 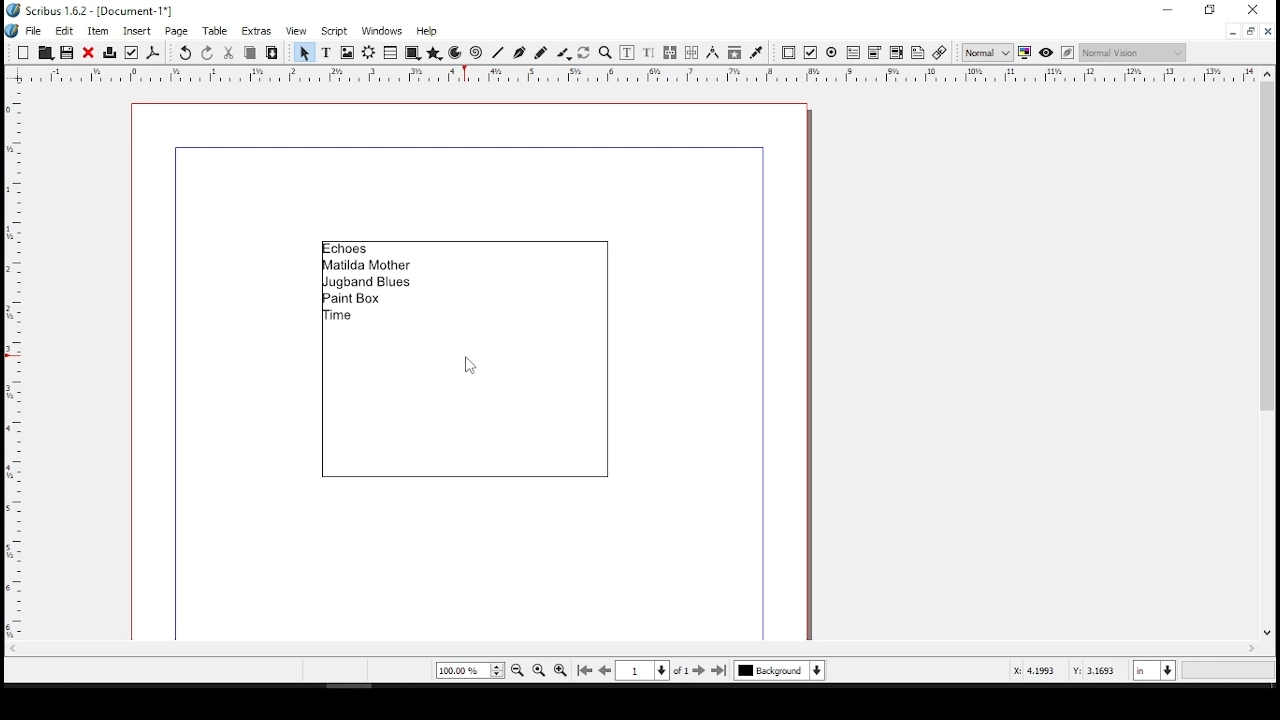 What do you see at coordinates (23, 52) in the screenshot?
I see `new` at bounding box center [23, 52].